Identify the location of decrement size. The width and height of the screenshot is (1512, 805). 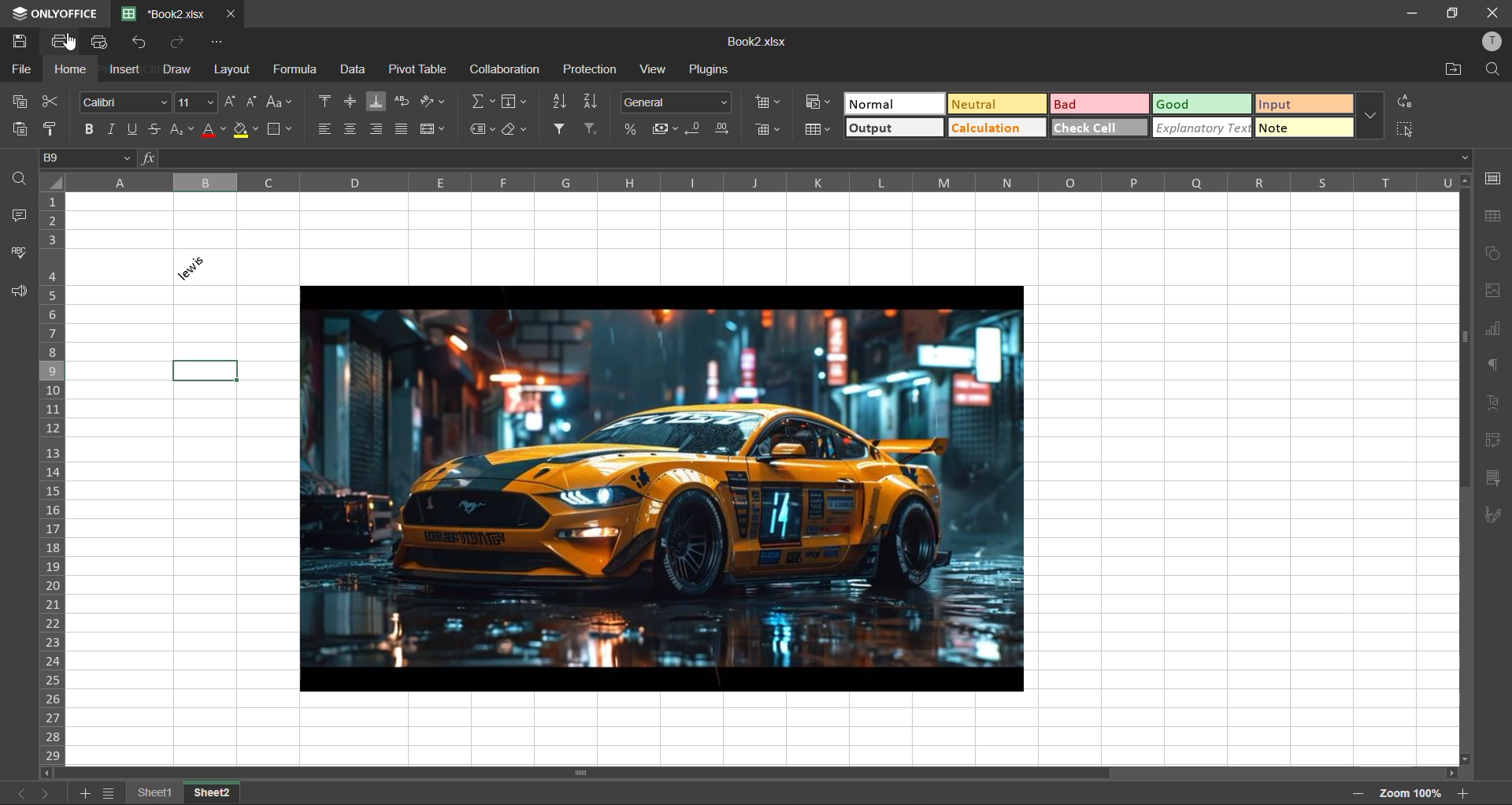
(254, 102).